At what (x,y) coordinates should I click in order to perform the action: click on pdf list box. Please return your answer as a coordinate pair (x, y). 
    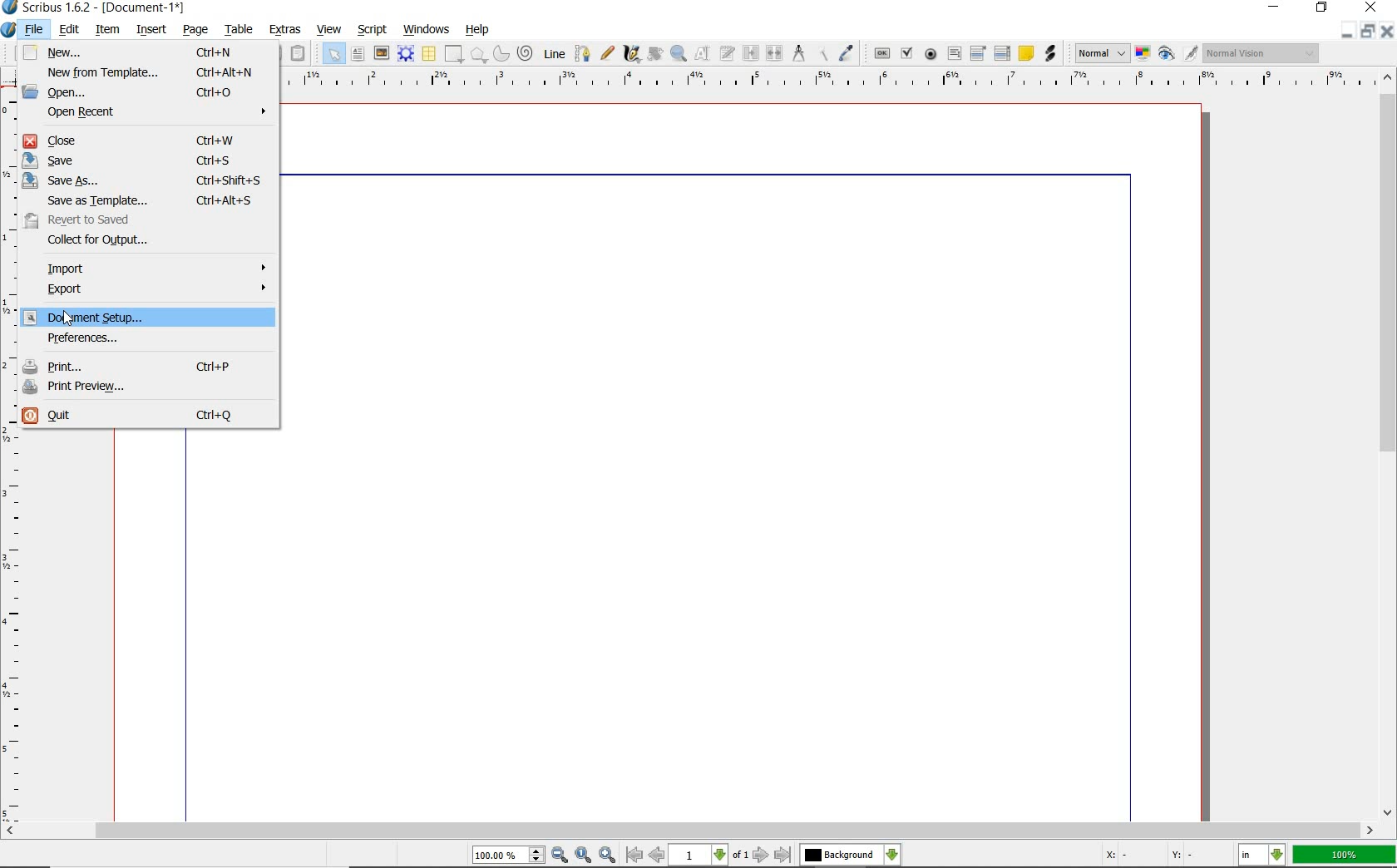
    Looking at the image, I should click on (1001, 53).